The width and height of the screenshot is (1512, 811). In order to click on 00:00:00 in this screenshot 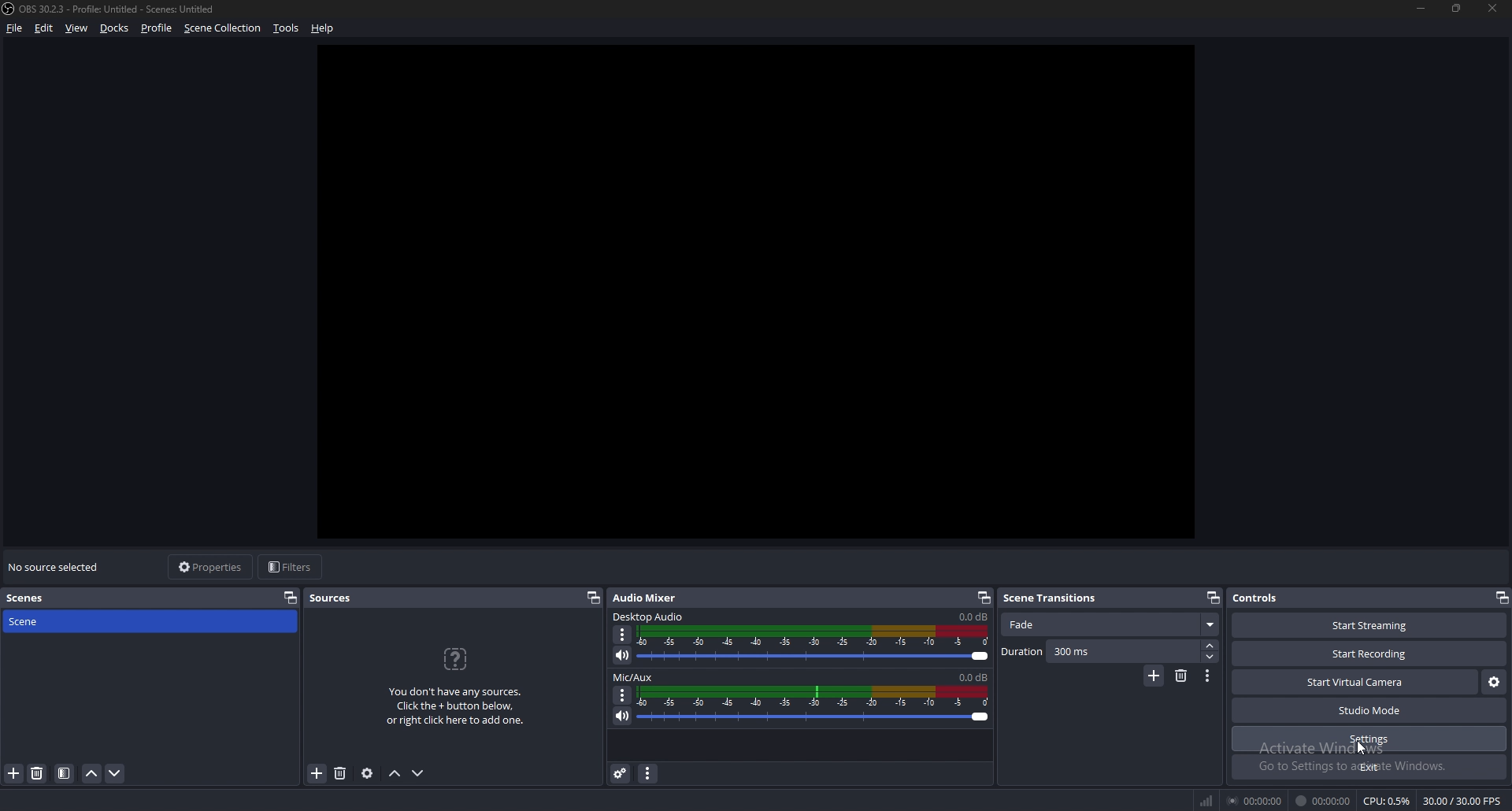, I will do `click(1254, 801)`.